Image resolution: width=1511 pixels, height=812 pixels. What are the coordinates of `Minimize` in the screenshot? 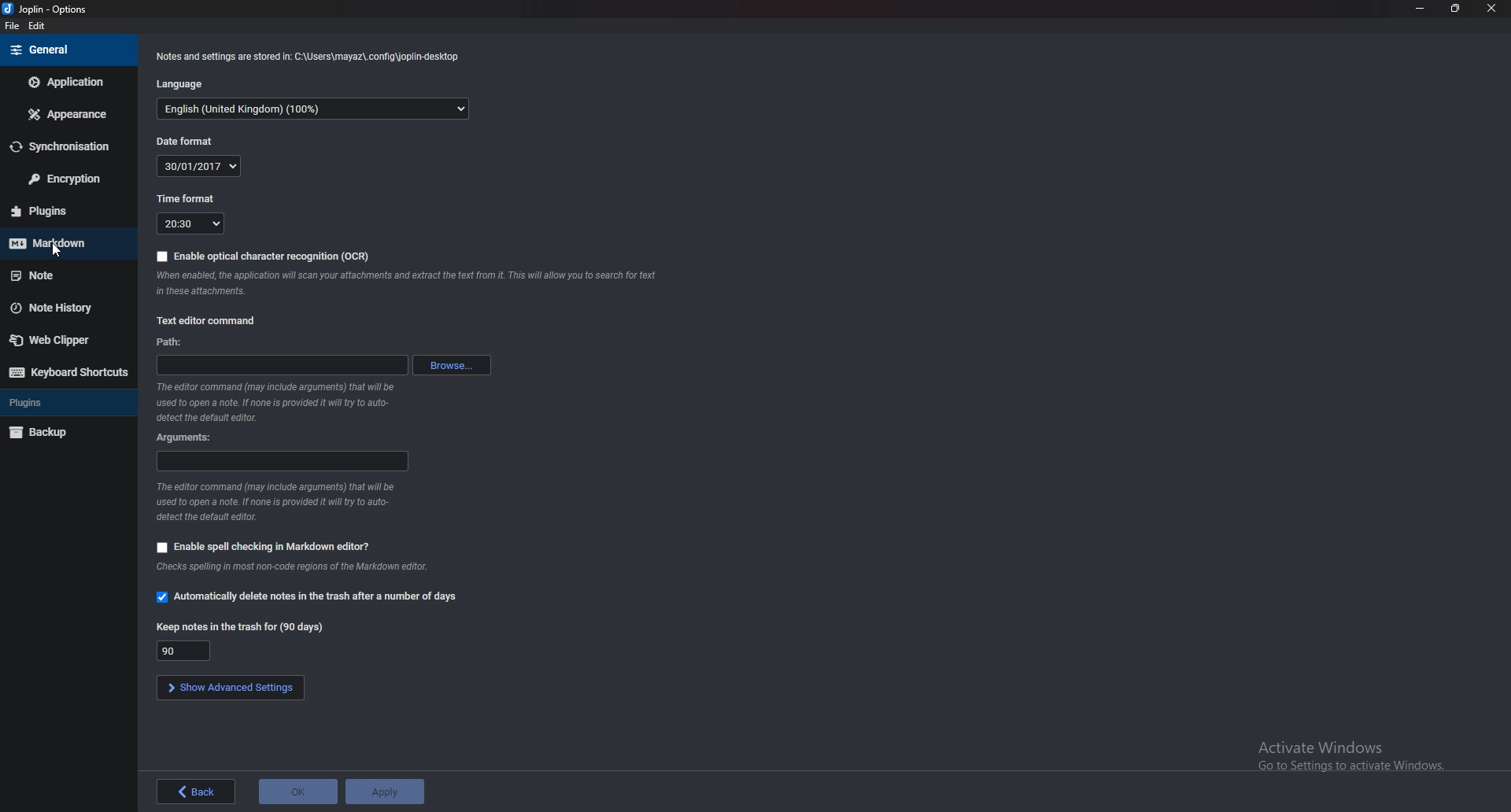 It's located at (1419, 8).